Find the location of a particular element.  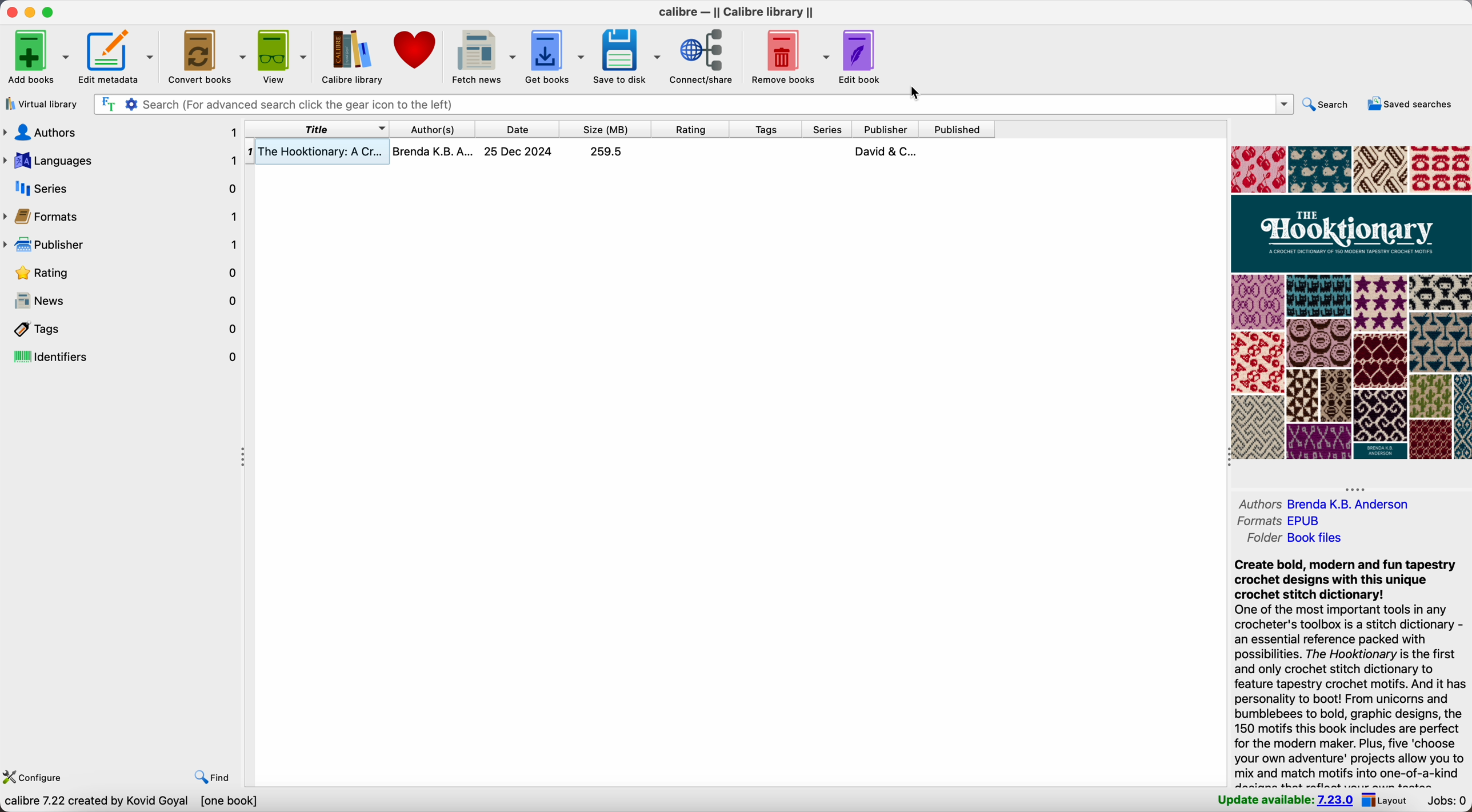

right click on title is located at coordinates (319, 129).